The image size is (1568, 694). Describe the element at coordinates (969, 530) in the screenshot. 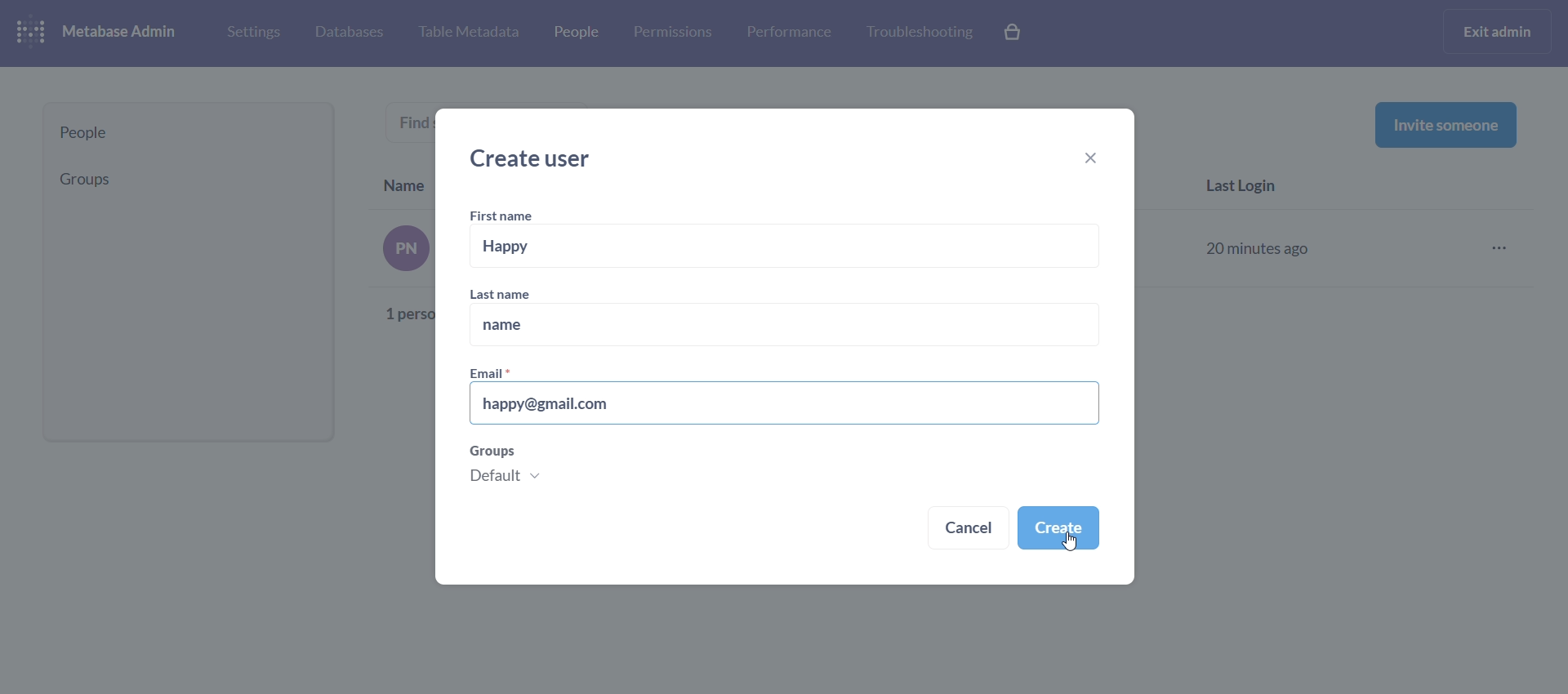

I see `cancel` at that location.